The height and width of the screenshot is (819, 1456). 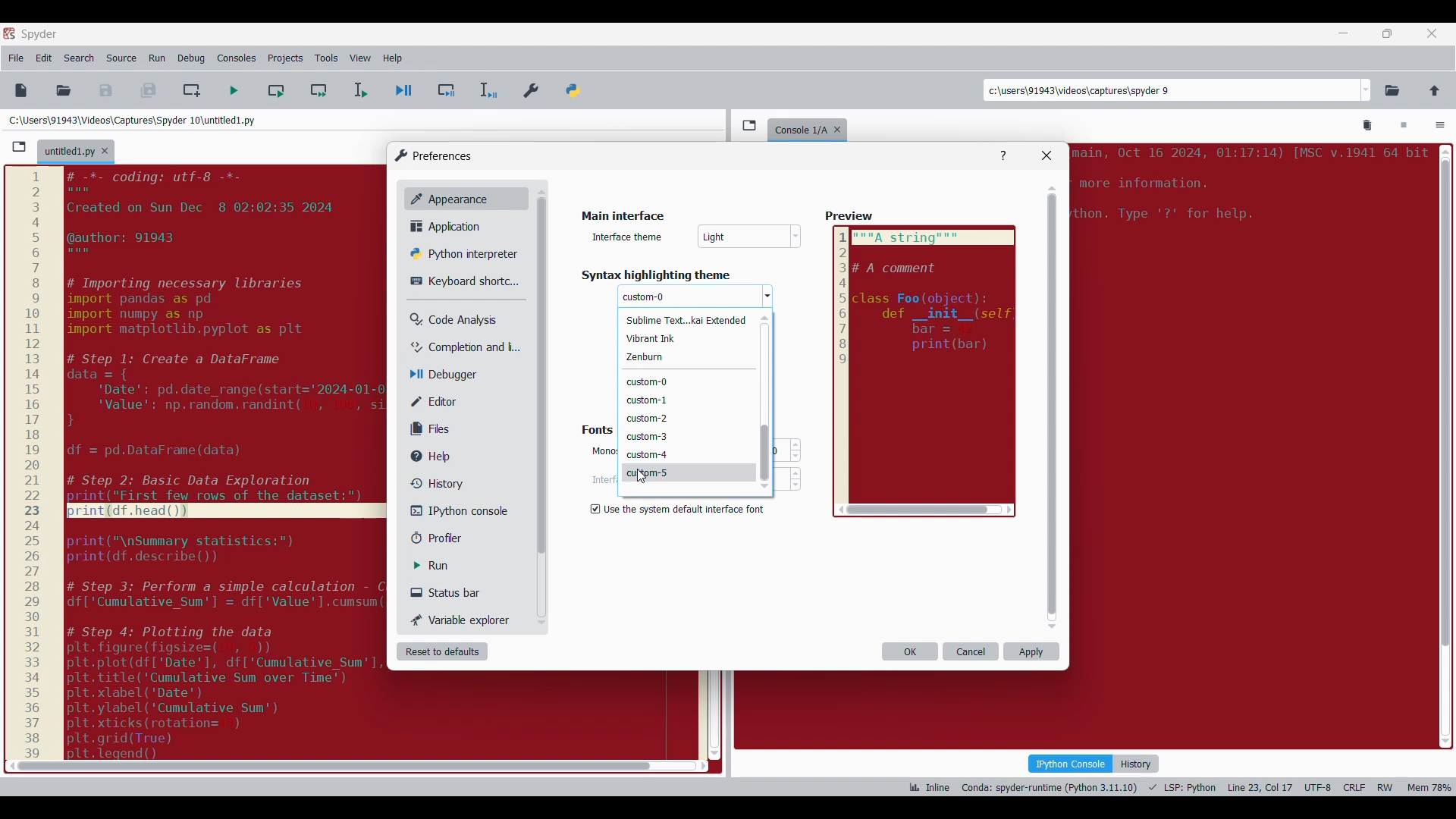 I want to click on Debug cell, so click(x=447, y=90).